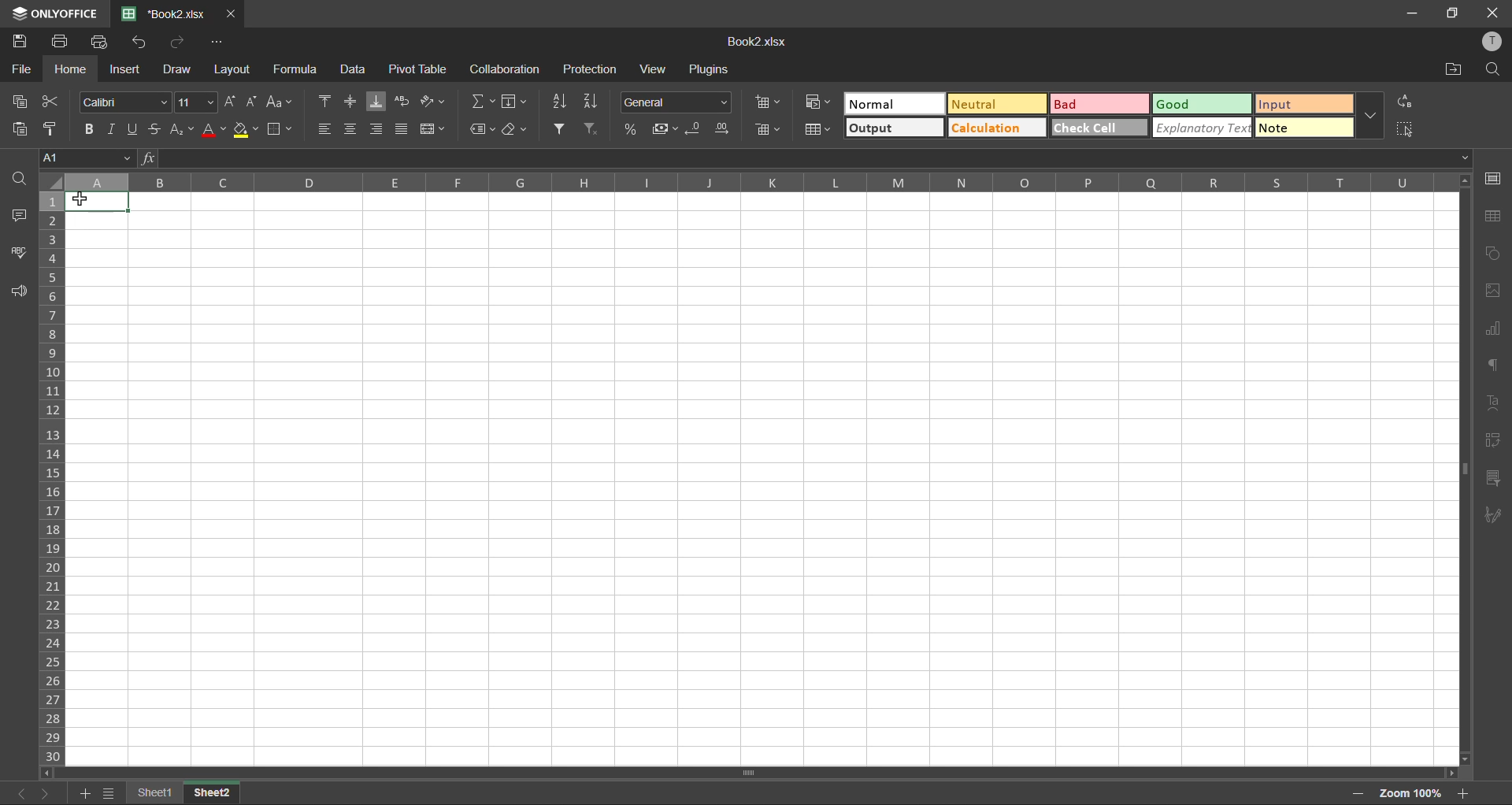  What do you see at coordinates (85, 159) in the screenshot?
I see `A1` at bounding box center [85, 159].